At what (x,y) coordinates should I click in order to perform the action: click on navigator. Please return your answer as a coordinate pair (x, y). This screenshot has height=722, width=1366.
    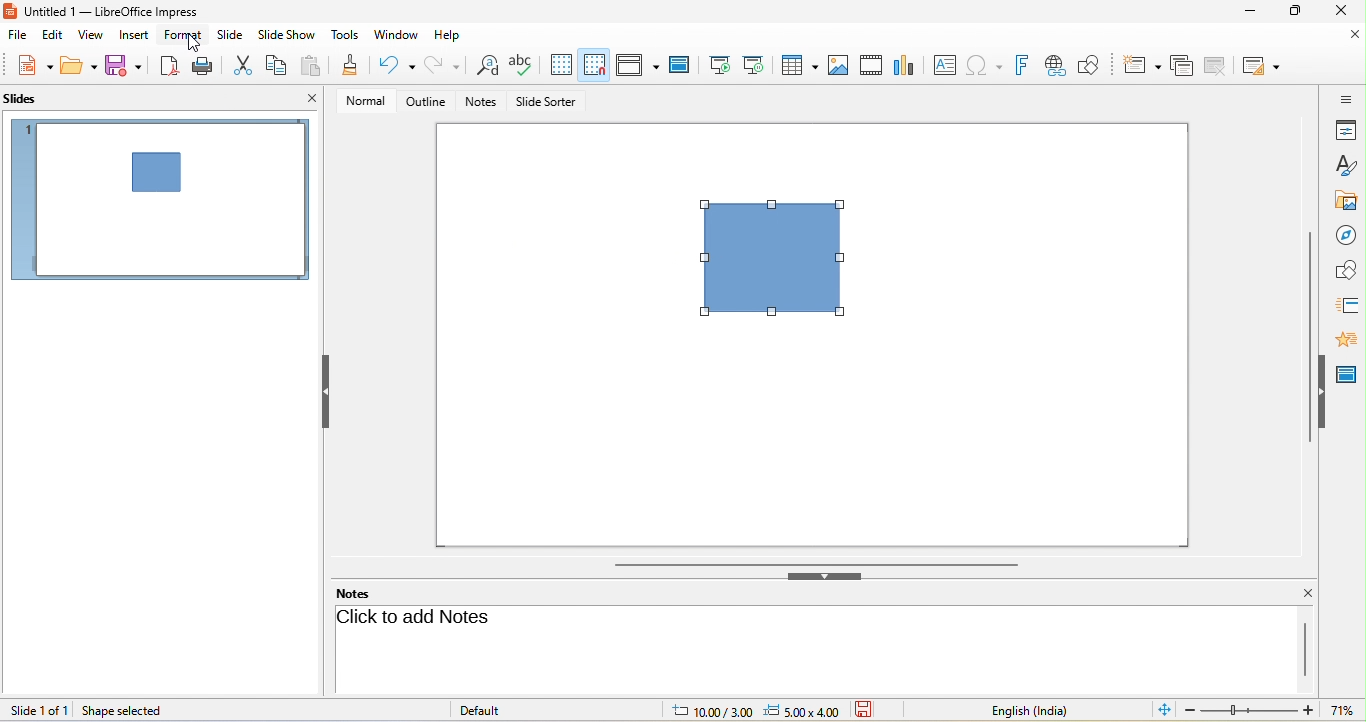
    Looking at the image, I should click on (1346, 232).